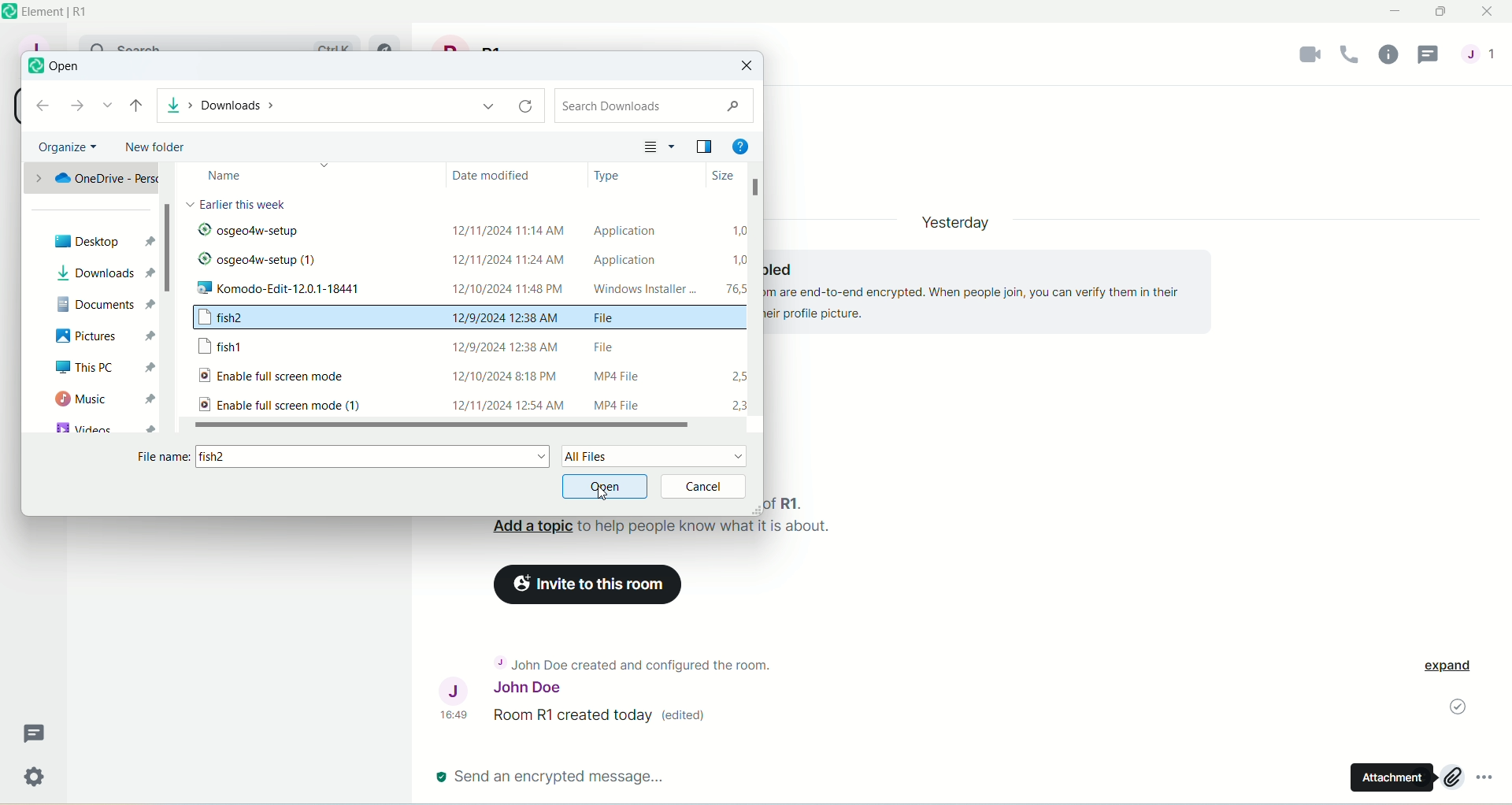 The height and width of the screenshot is (805, 1512). What do you see at coordinates (956, 218) in the screenshot?
I see `Yesterday` at bounding box center [956, 218].